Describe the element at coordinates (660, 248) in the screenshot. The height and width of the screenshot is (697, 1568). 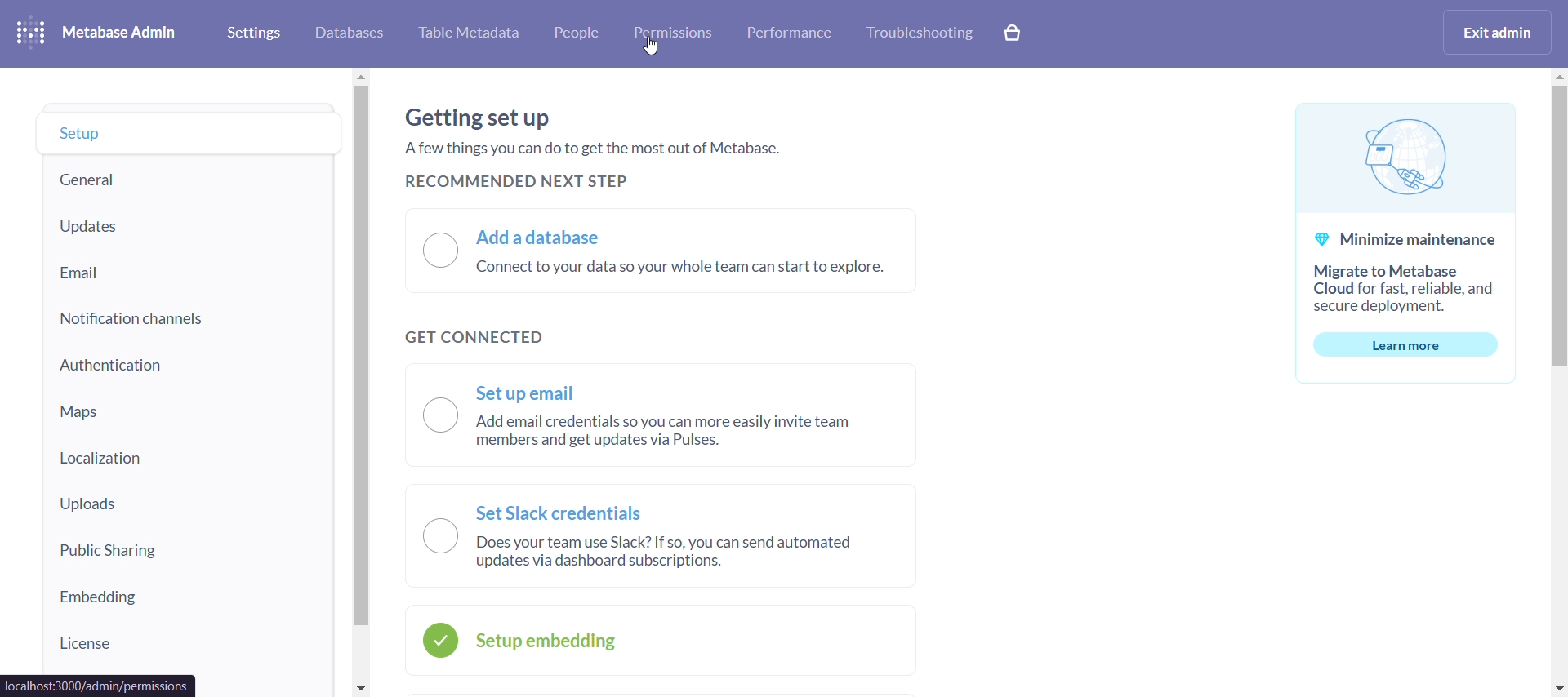
I see `add a database` at that location.